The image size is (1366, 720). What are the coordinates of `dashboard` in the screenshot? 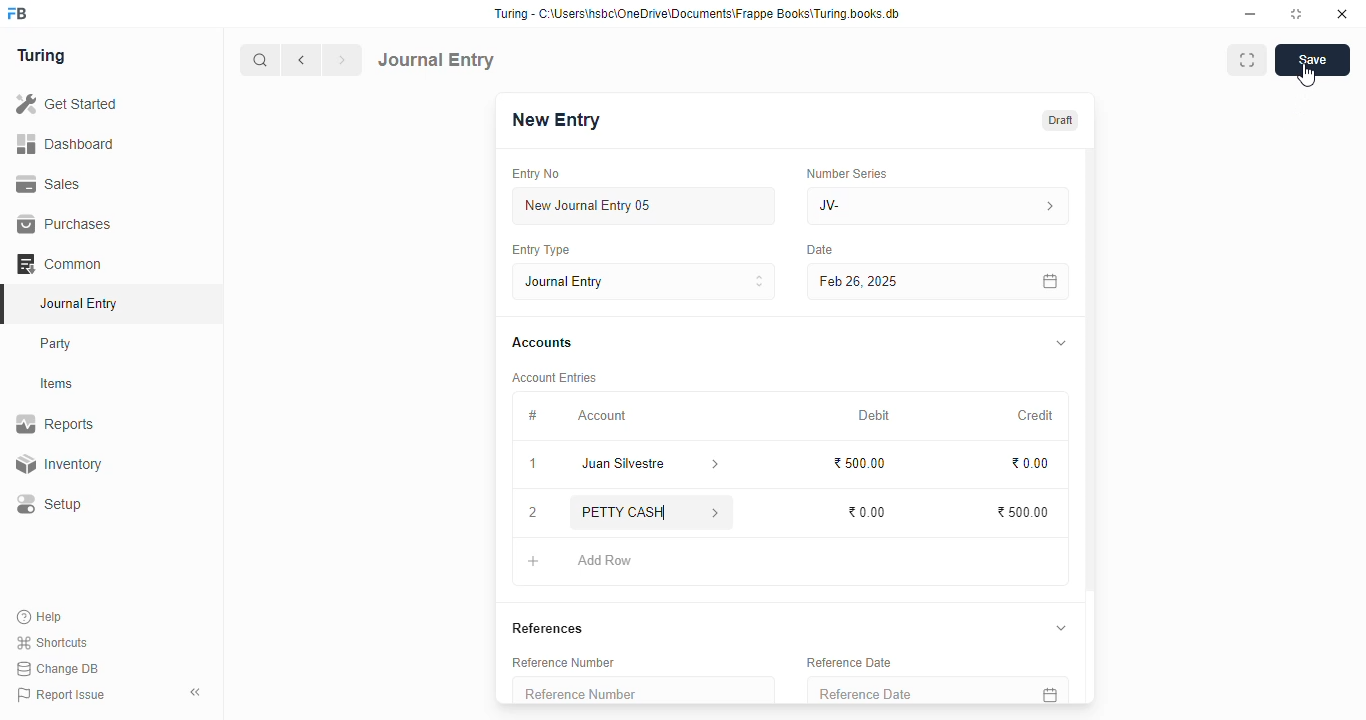 It's located at (66, 143).